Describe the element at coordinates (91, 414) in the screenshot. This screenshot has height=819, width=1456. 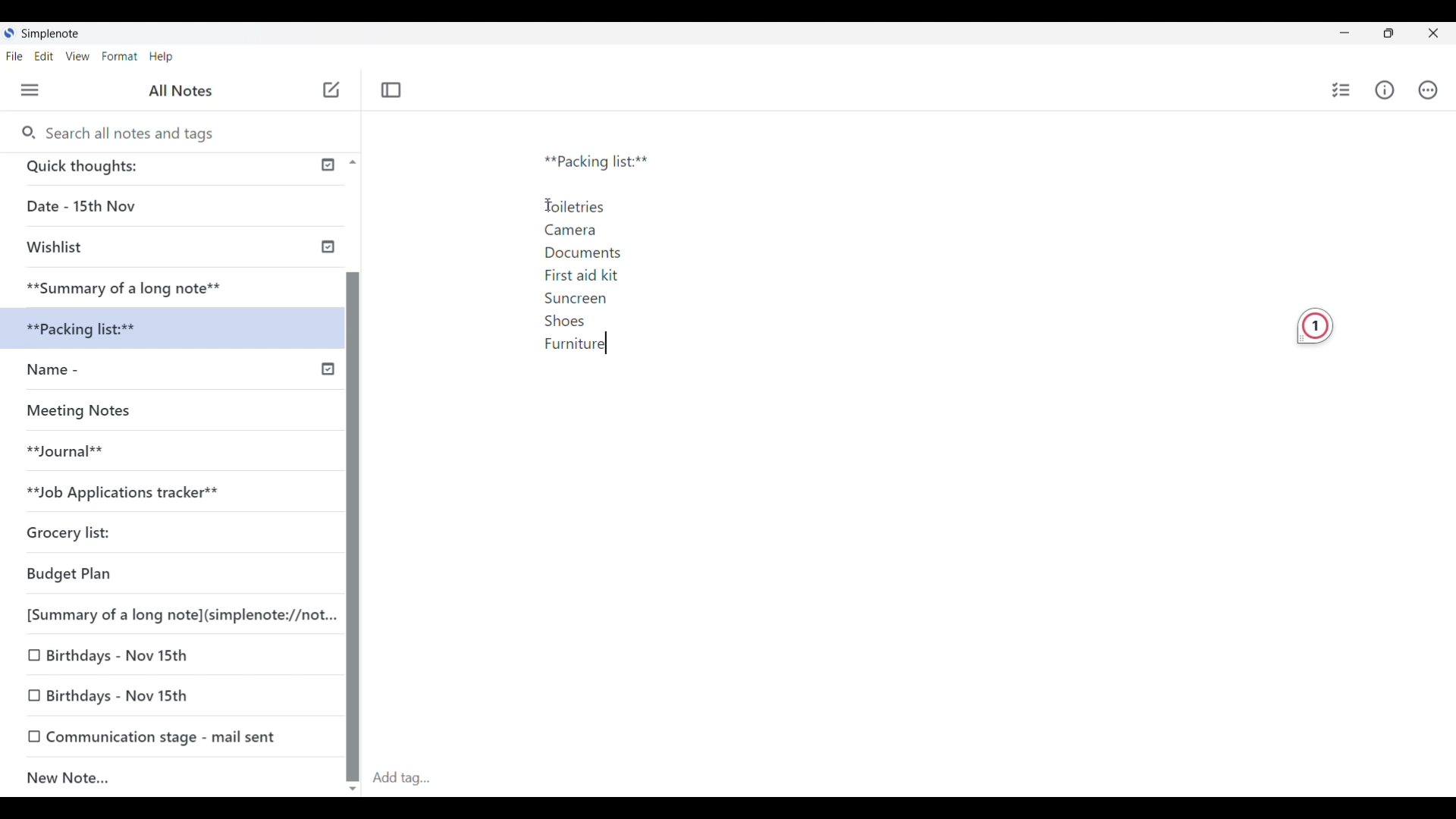
I see `Missing Notes` at that location.